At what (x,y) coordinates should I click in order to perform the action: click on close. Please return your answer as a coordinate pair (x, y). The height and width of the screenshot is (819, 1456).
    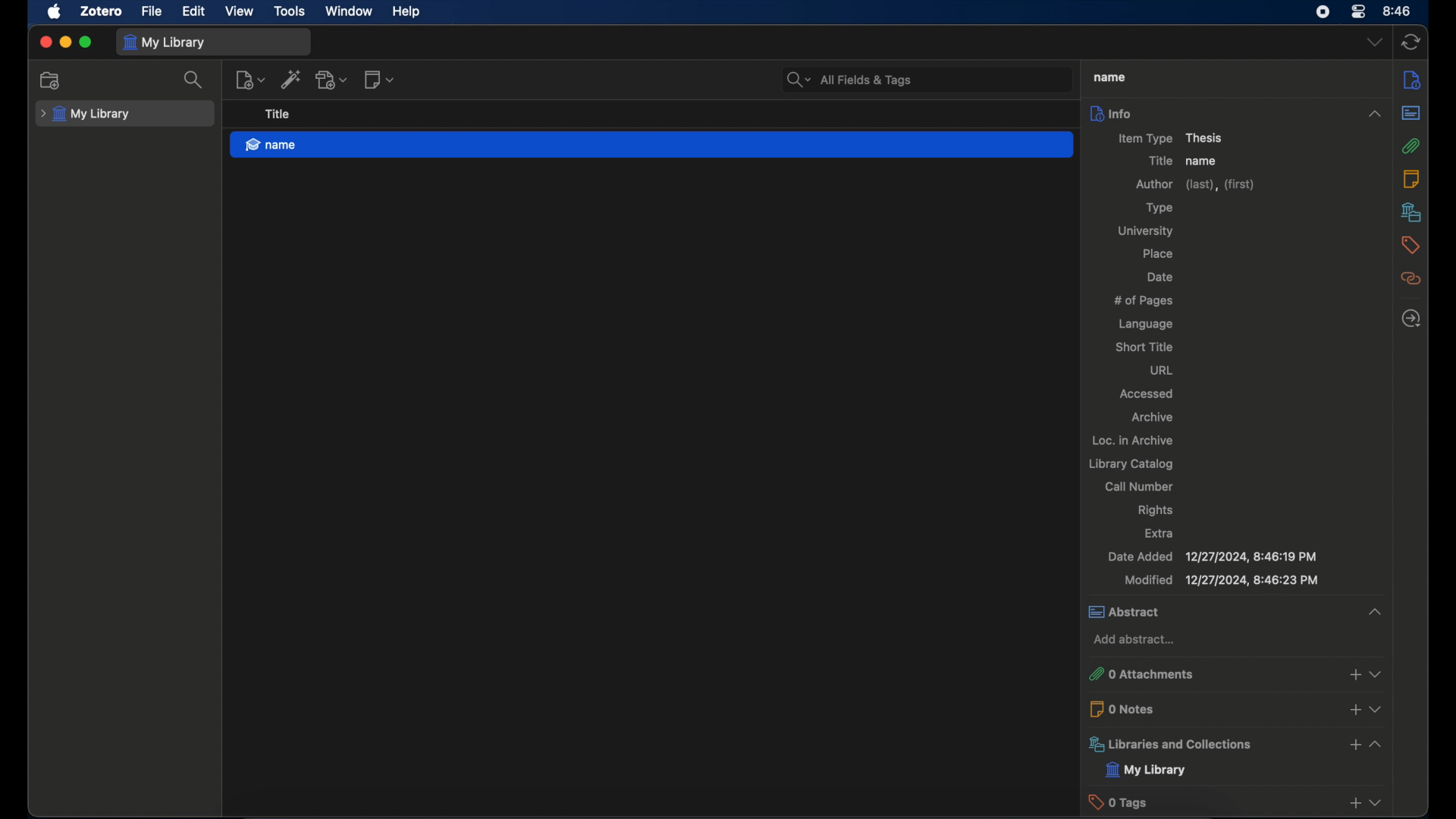
    Looking at the image, I should click on (45, 42).